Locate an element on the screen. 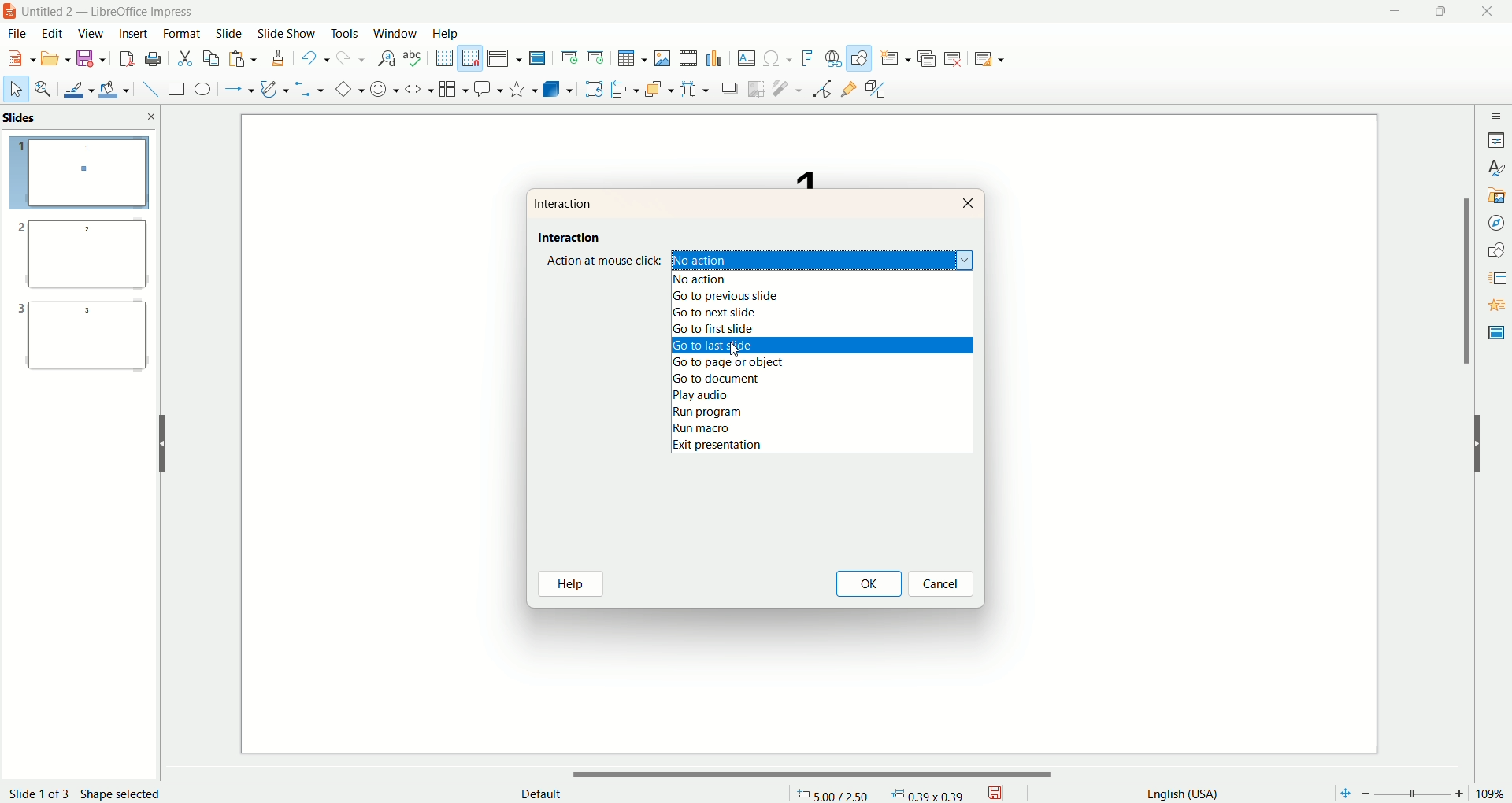 The image size is (1512, 803). no action is located at coordinates (762, 280).